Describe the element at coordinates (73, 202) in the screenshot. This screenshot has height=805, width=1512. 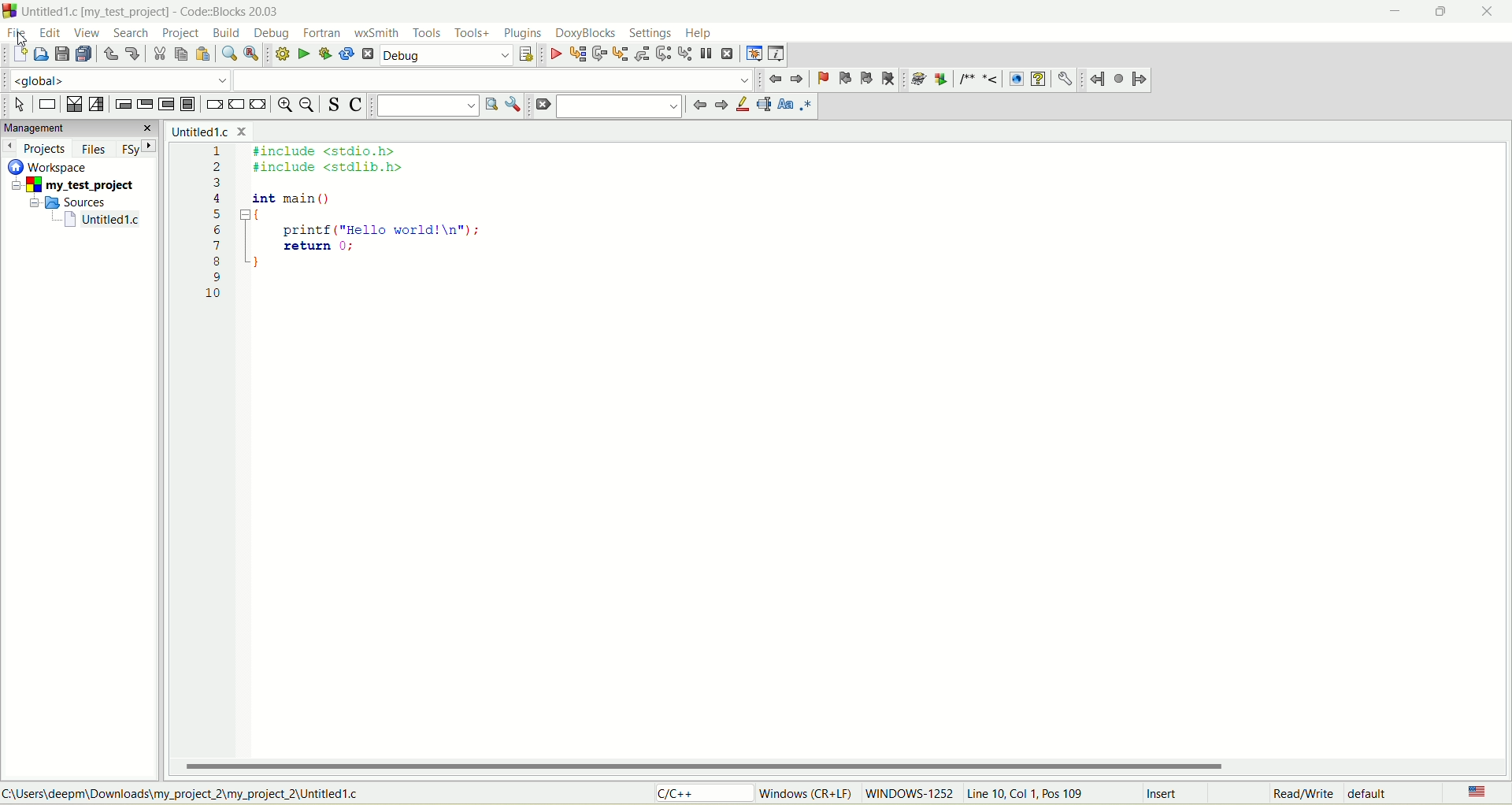
I see `sources` at that location.